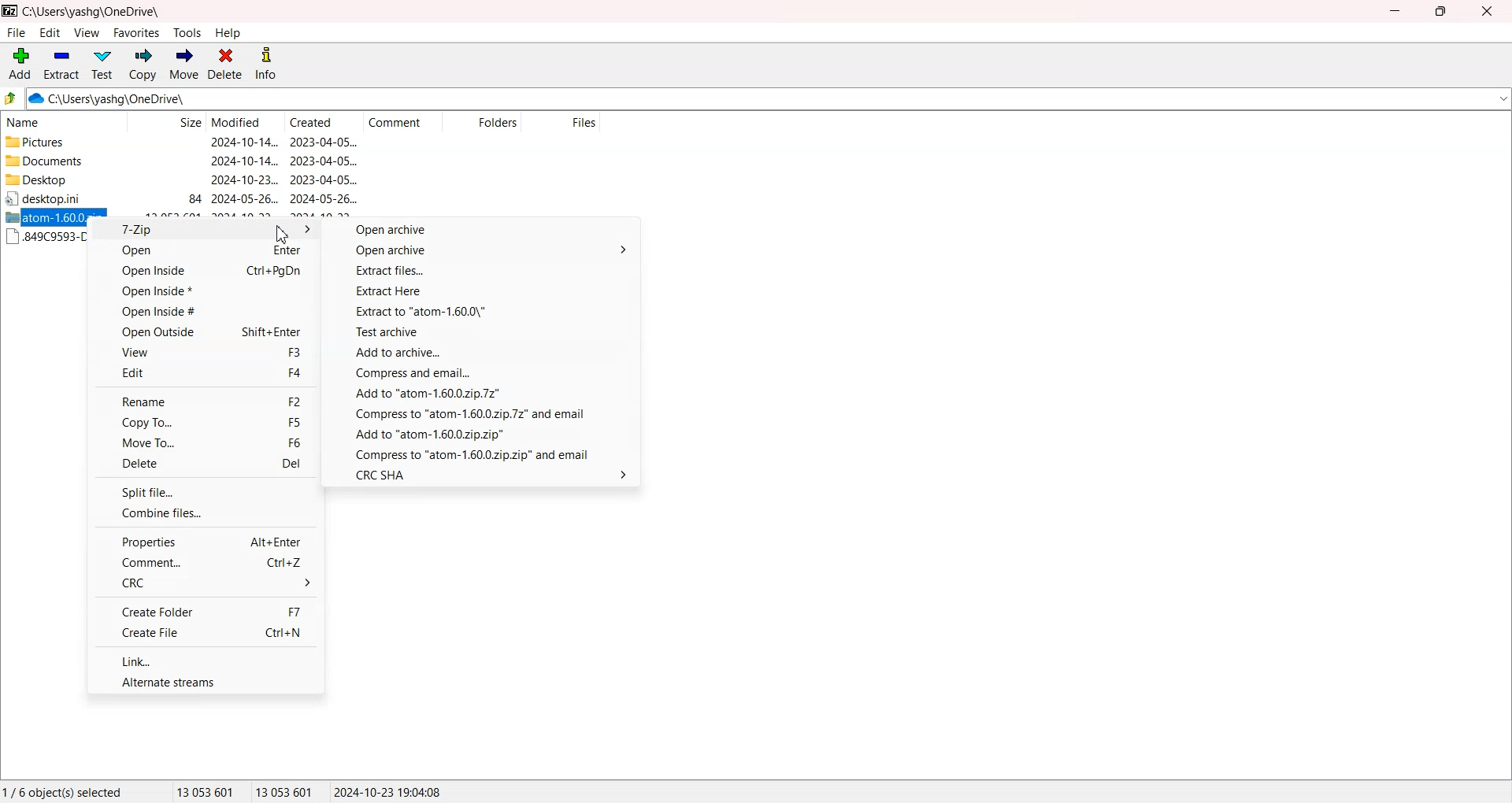 The height and width of the screenshot is (803, 1512). Describe the element at coordinates (204, 331) in the screenshot. I see `Open Outside` at that location.